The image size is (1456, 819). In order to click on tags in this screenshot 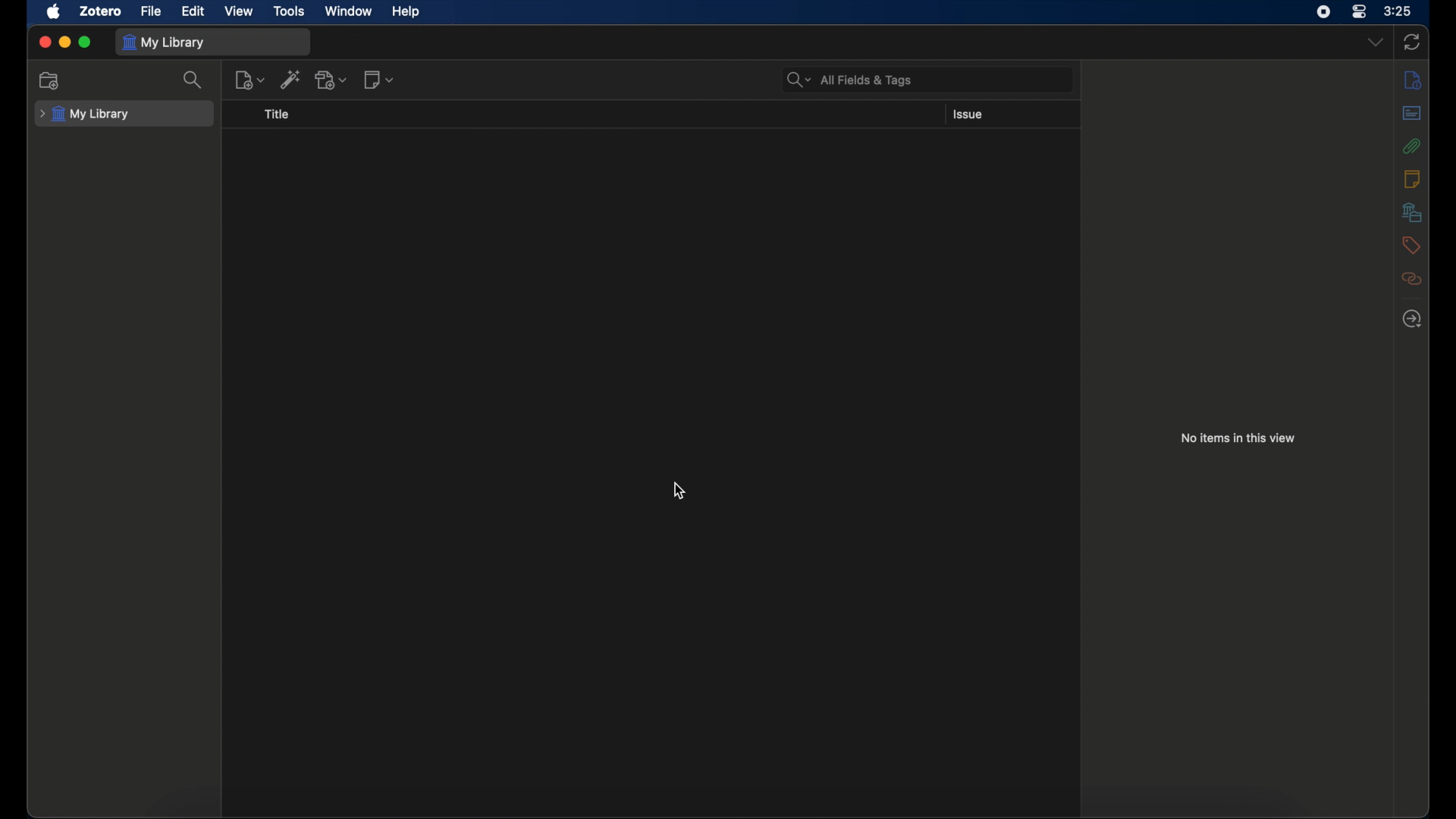, I will do `click(1409, 244)`.